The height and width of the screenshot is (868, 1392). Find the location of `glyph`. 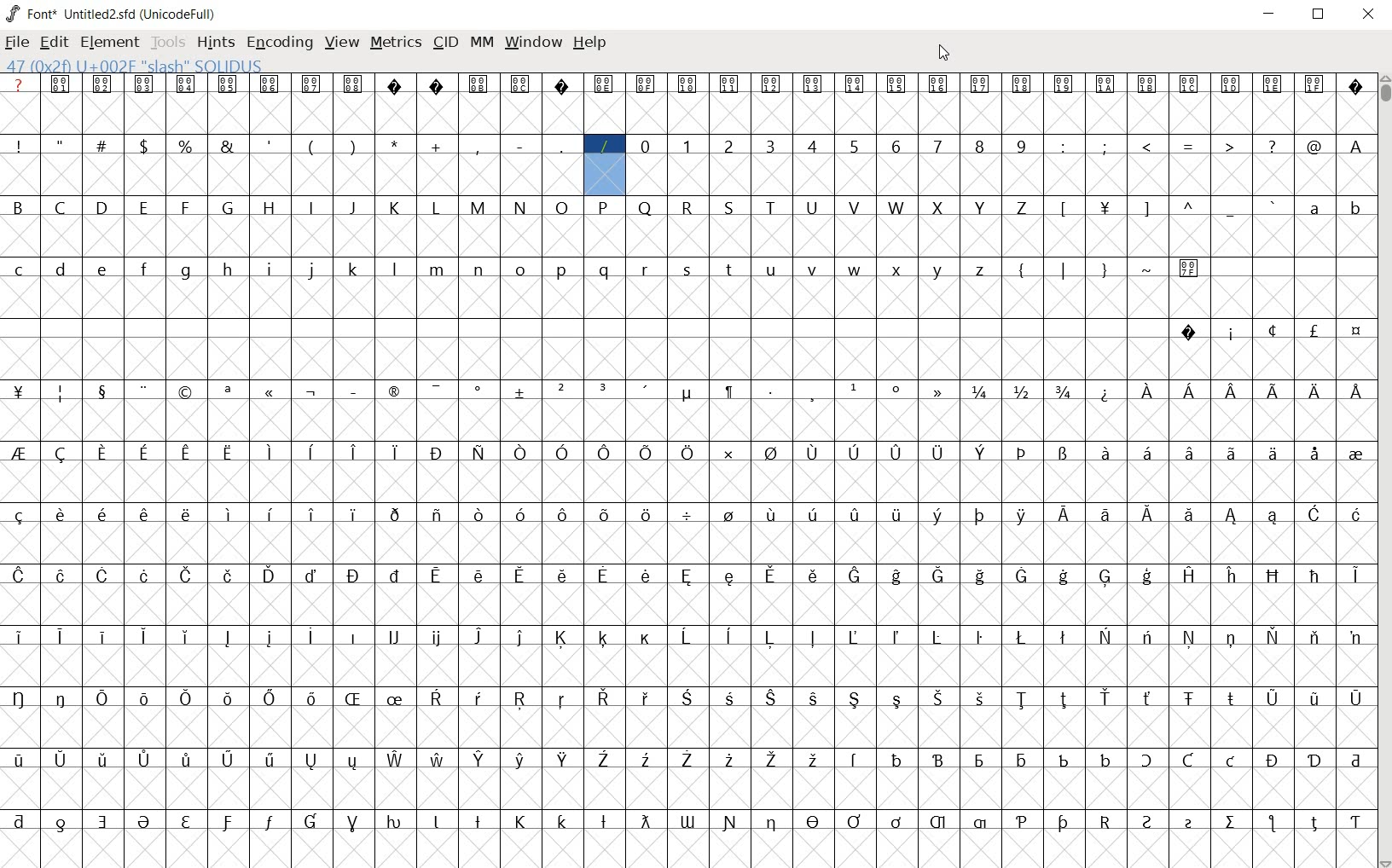

glyph is located at coordinates (855, 760).